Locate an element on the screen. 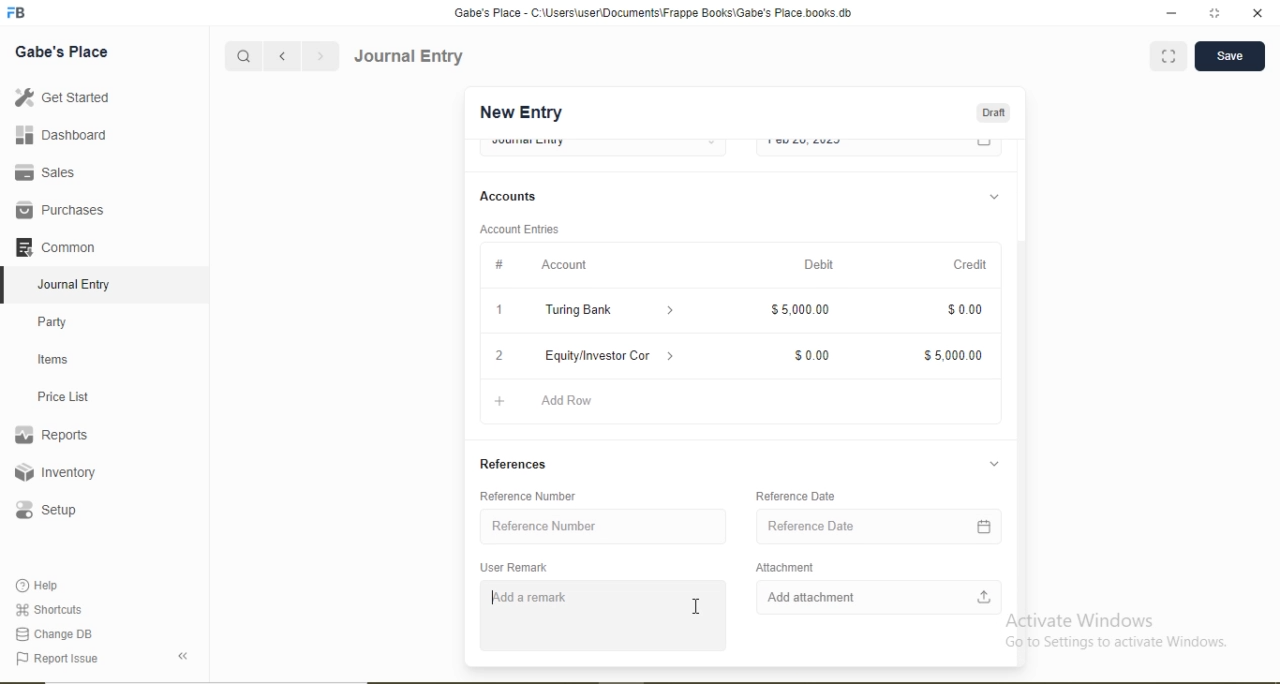 This screenshot has width=1280, height=684. Dropdown is located at coordinates (671, 312).